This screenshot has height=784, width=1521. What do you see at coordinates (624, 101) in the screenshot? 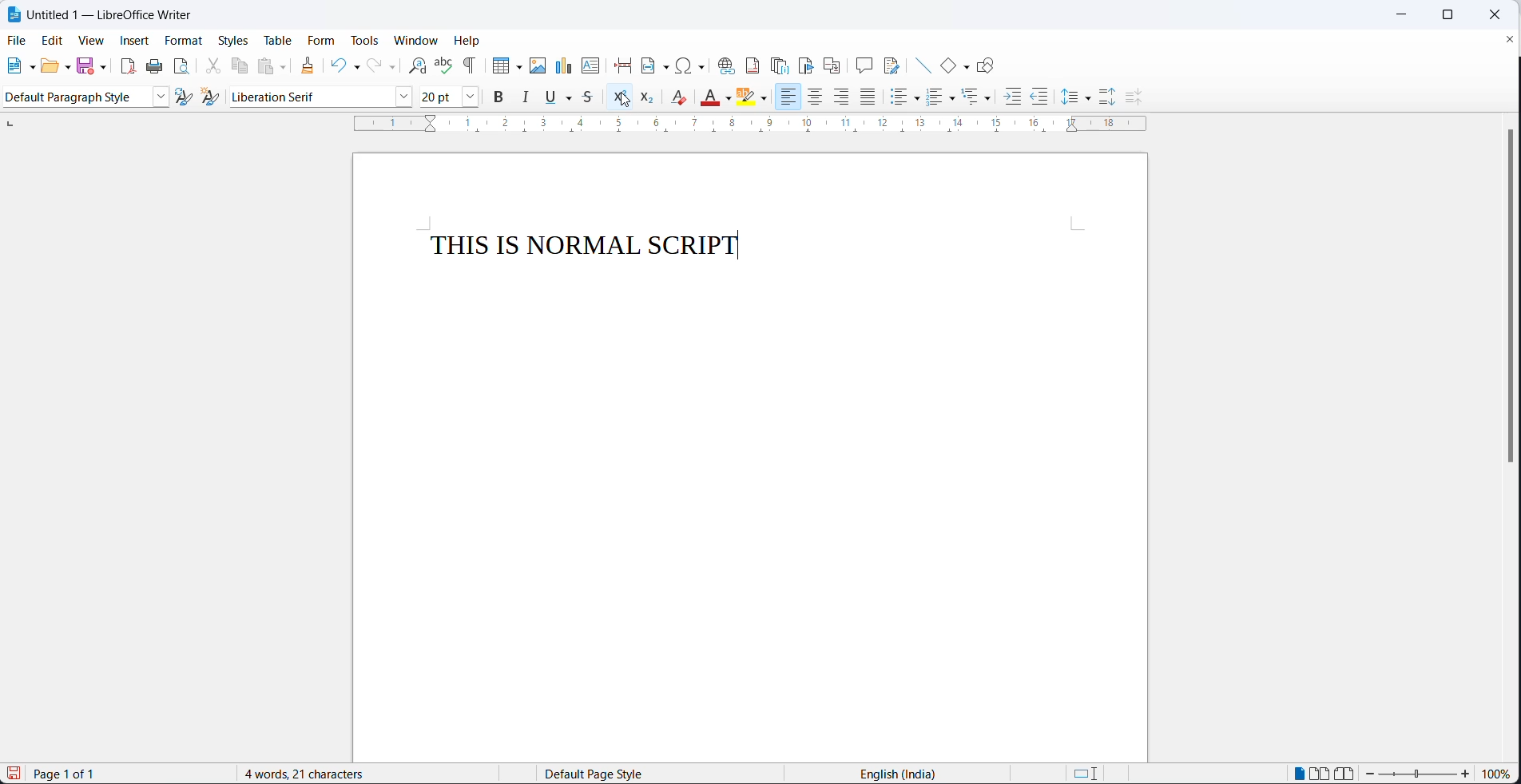
I see `cursor` at bounding box center [624, 101].